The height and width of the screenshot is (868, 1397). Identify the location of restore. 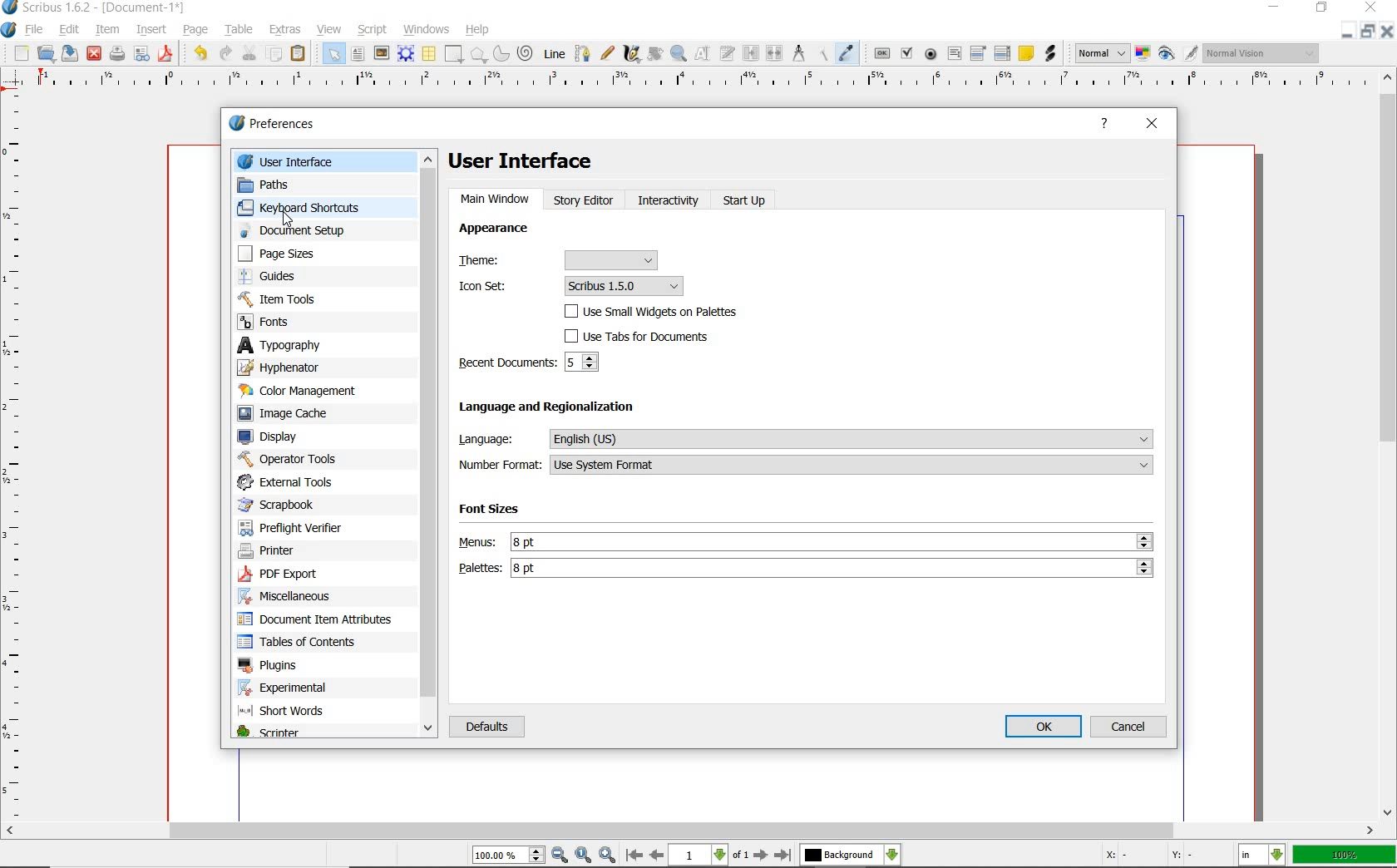
(1345, 32).